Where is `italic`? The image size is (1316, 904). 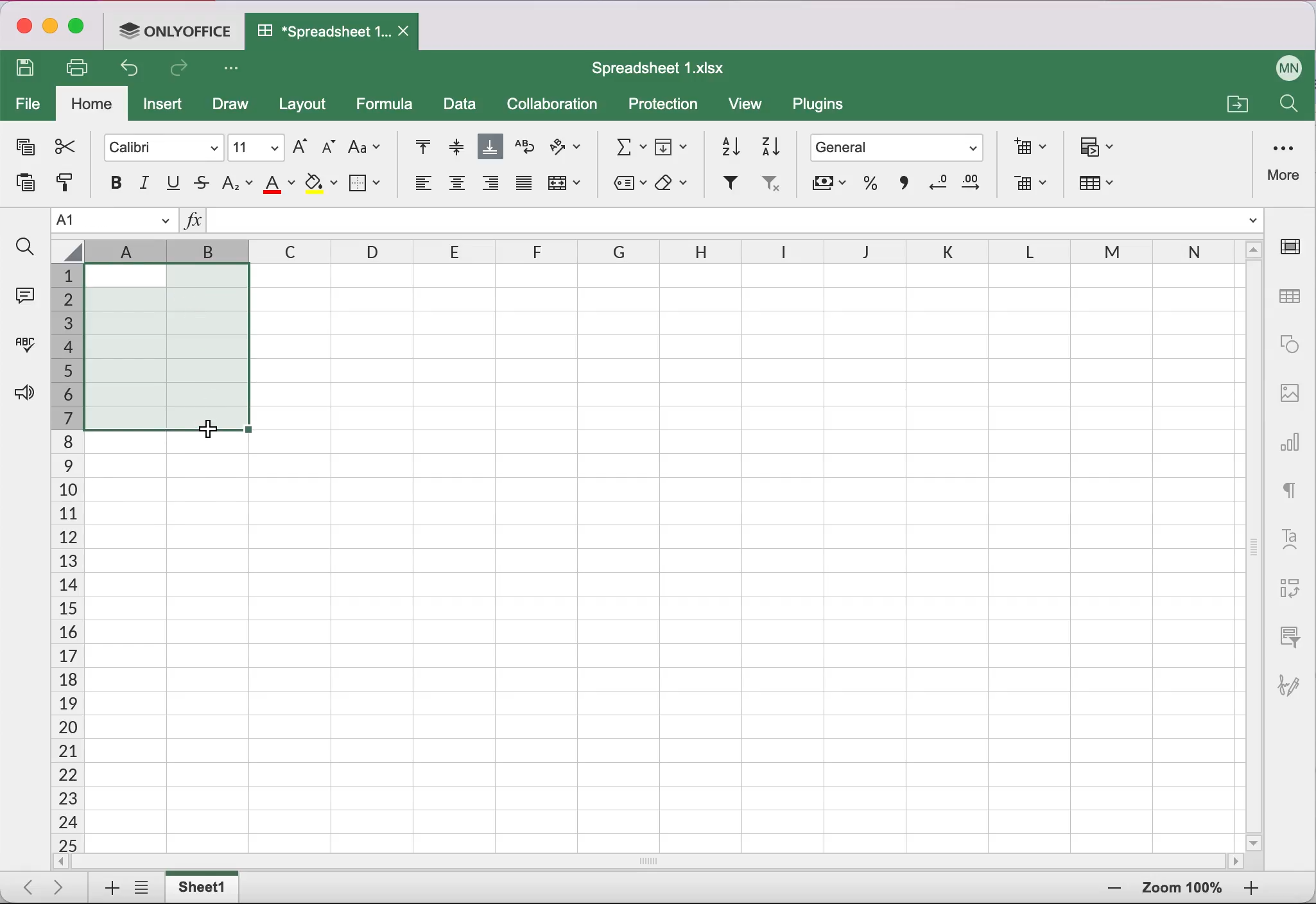
italic is located at coordinates (146, 183).